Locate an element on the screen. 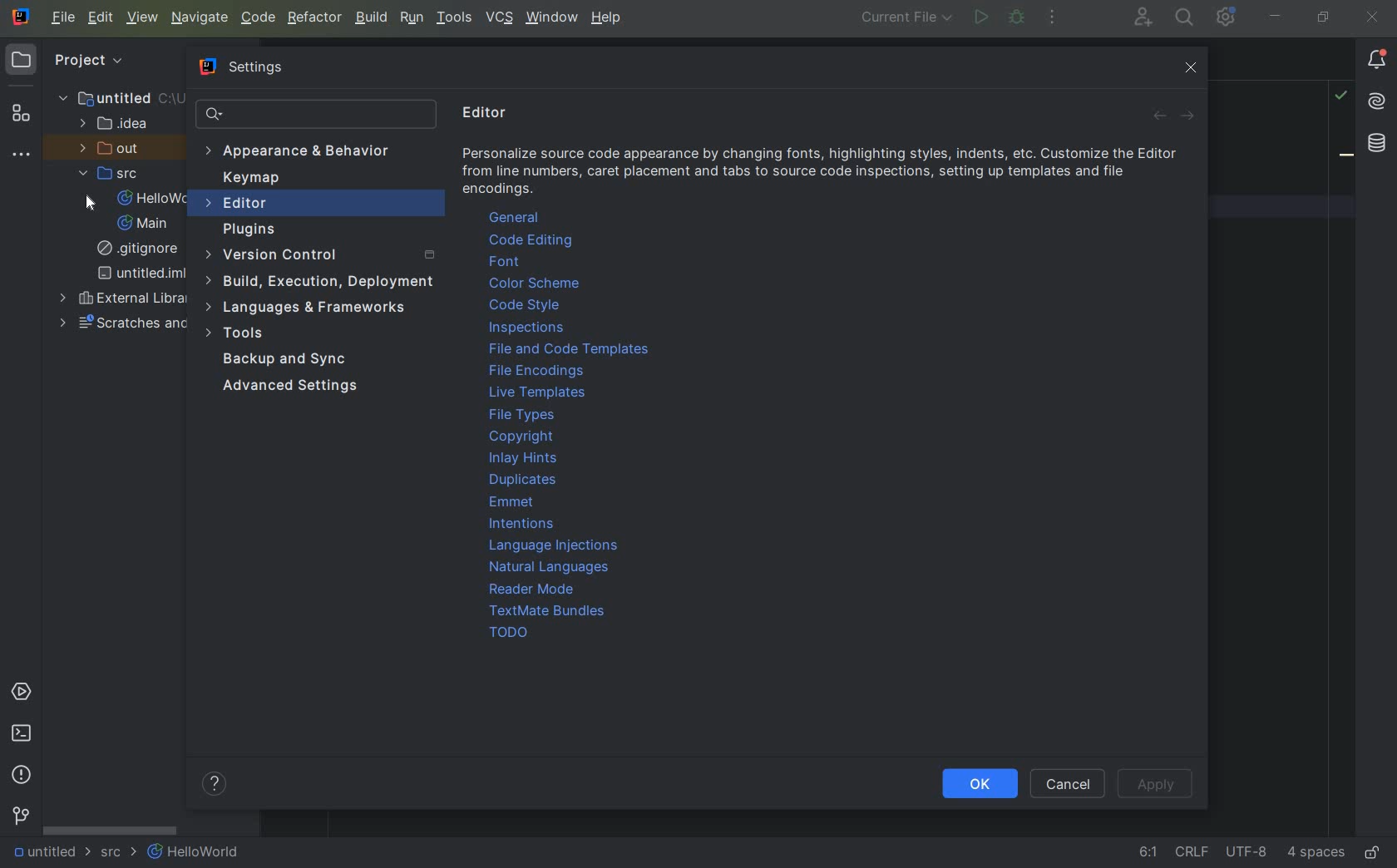  TOOLS is located at coordinates (454, 19).